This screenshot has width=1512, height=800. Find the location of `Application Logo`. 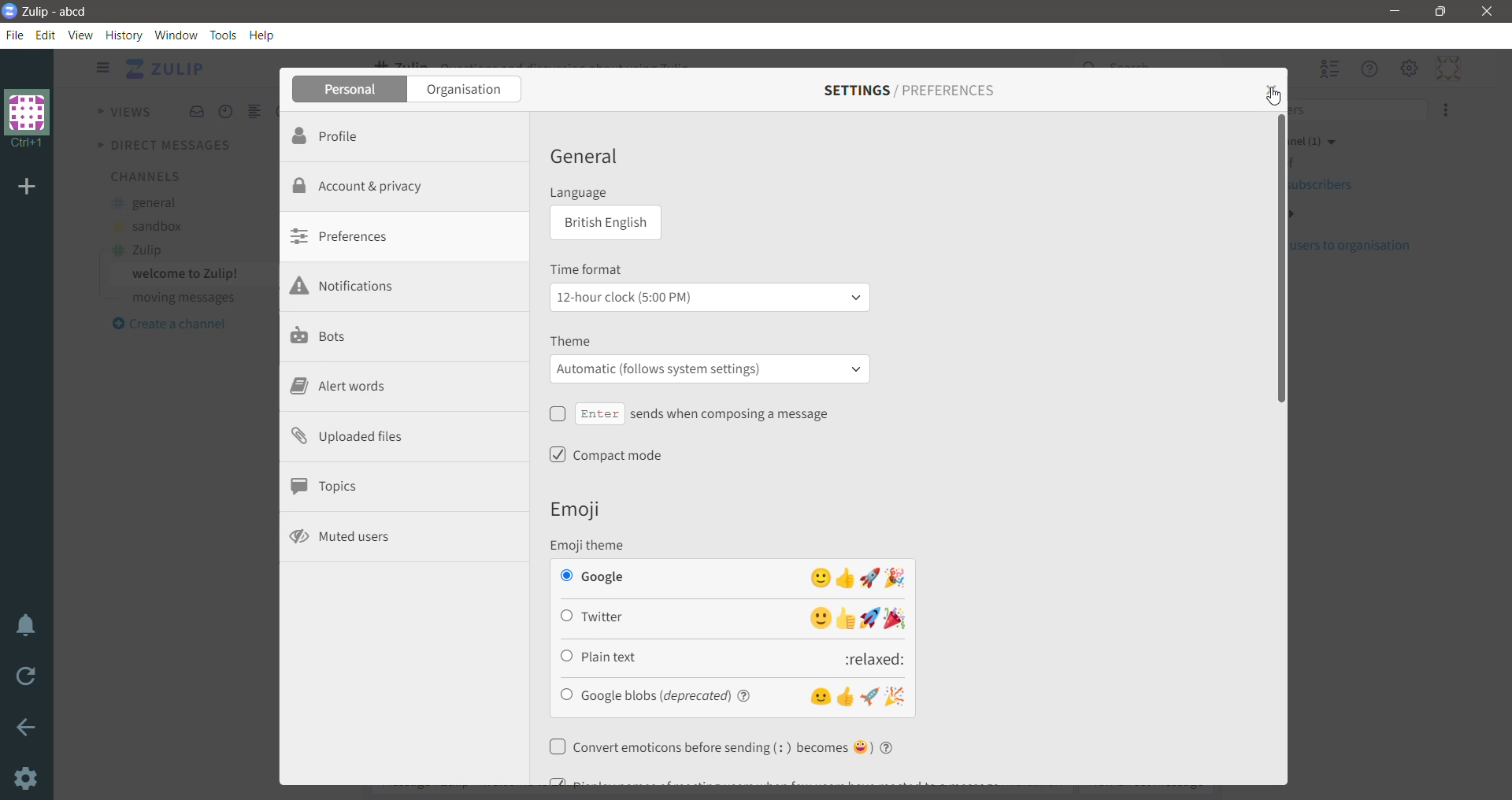

Application Logo is located at coordinates (9, 12).